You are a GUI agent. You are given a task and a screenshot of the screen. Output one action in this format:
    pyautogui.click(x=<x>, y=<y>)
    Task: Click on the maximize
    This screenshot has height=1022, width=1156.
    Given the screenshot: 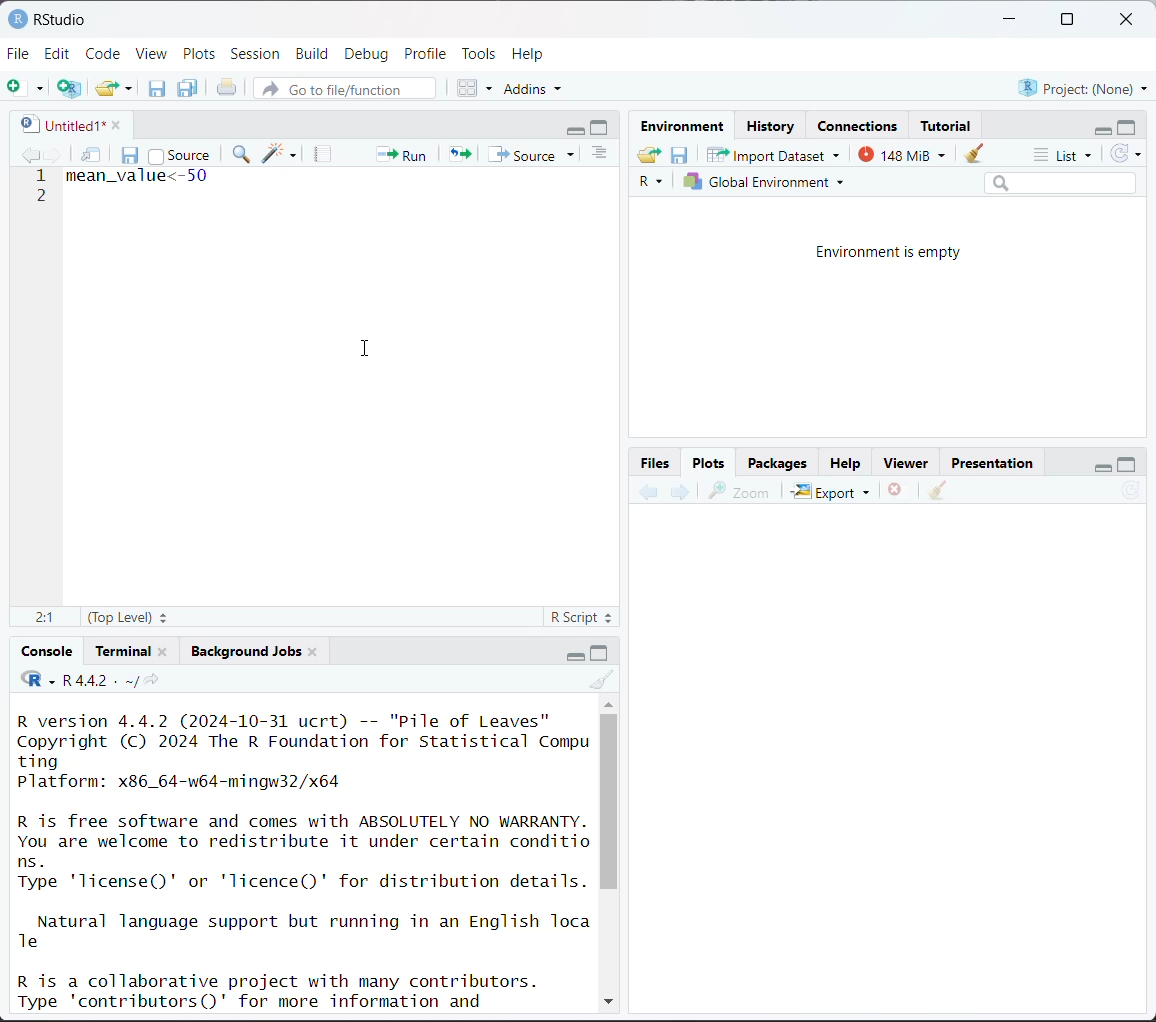 What is the action you would take?
    pyautogui.click(x=601, y=652)
    